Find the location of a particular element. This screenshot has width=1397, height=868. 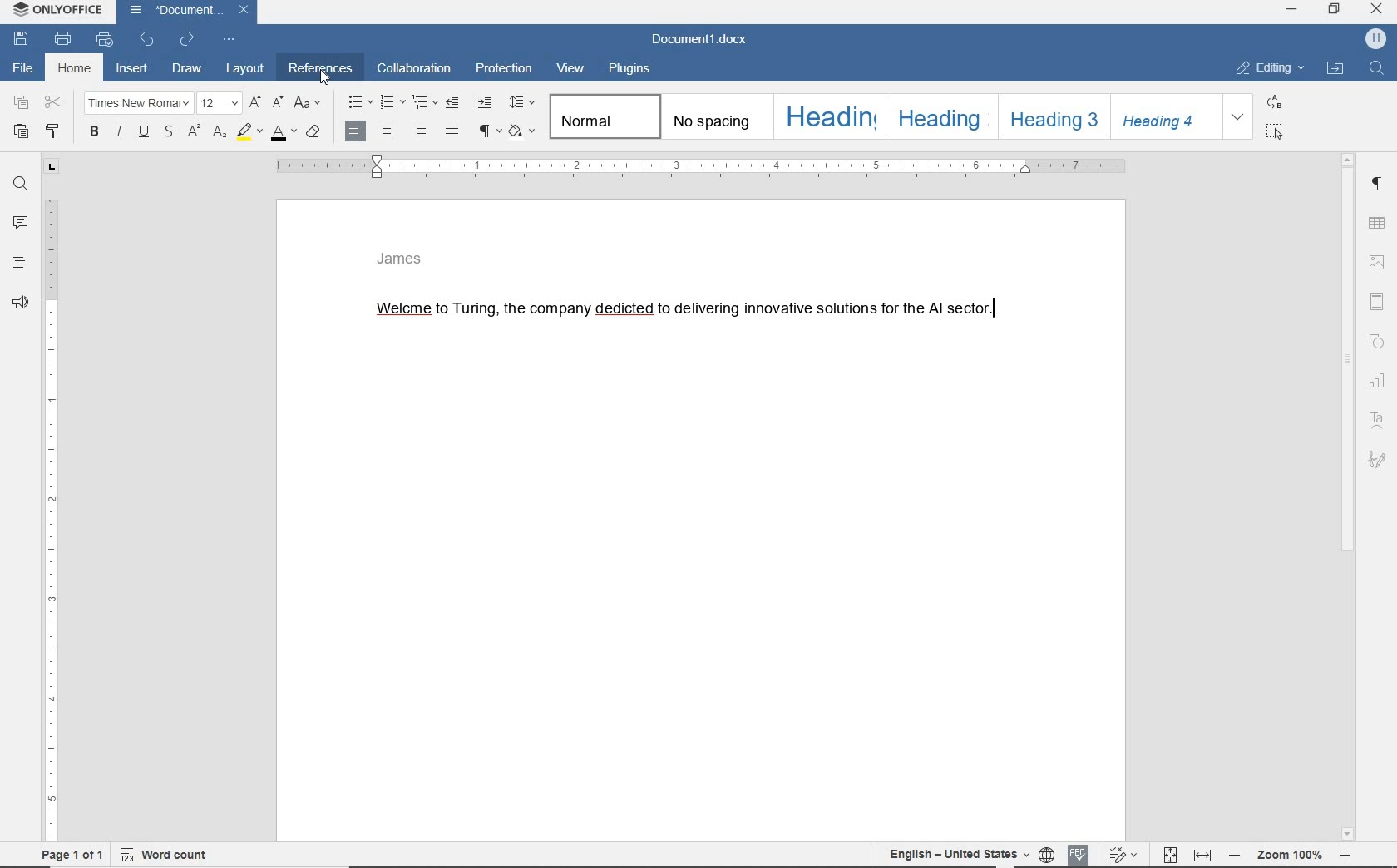

SIGNATURE is located at coordinates (1377, 461).